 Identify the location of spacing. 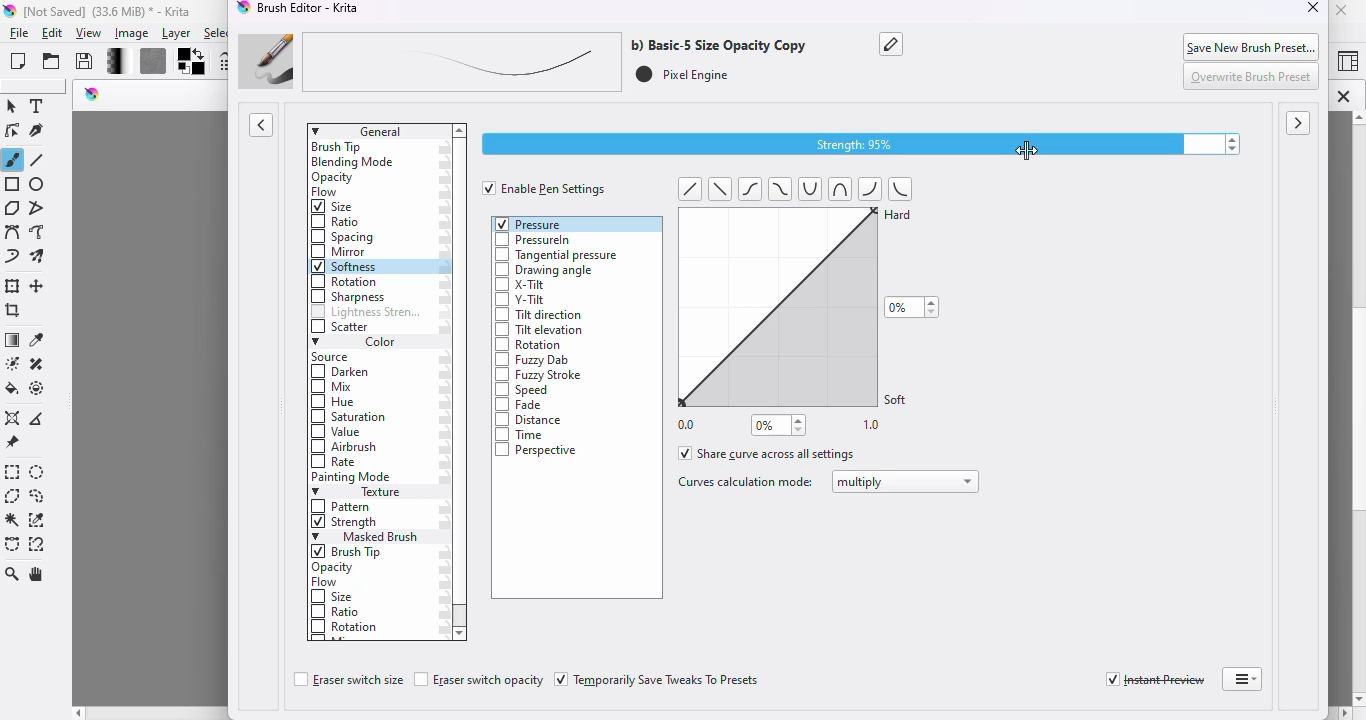
(344, 237).